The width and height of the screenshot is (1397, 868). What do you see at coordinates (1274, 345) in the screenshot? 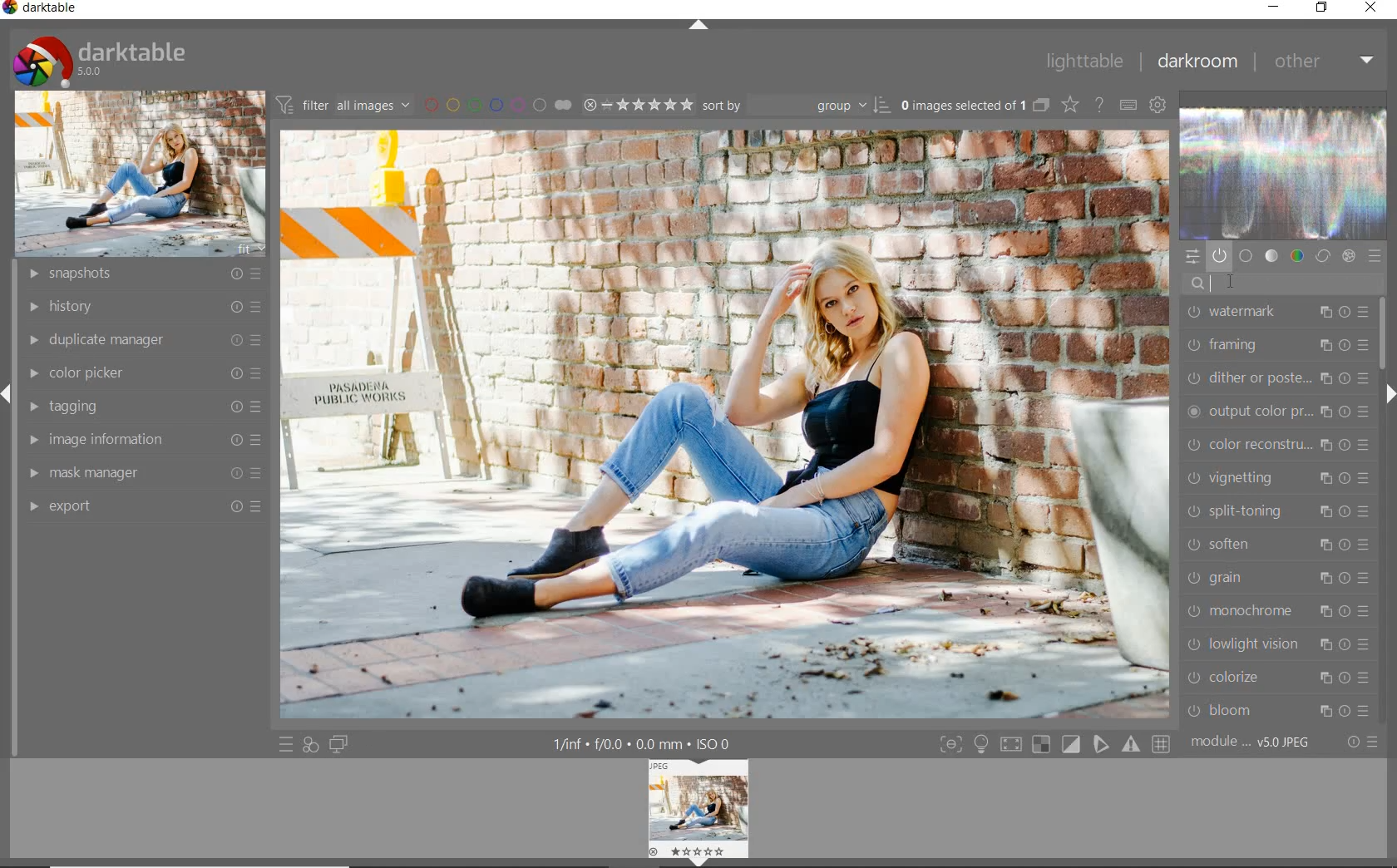
I see `framing` at bounding box center [1274, 345].